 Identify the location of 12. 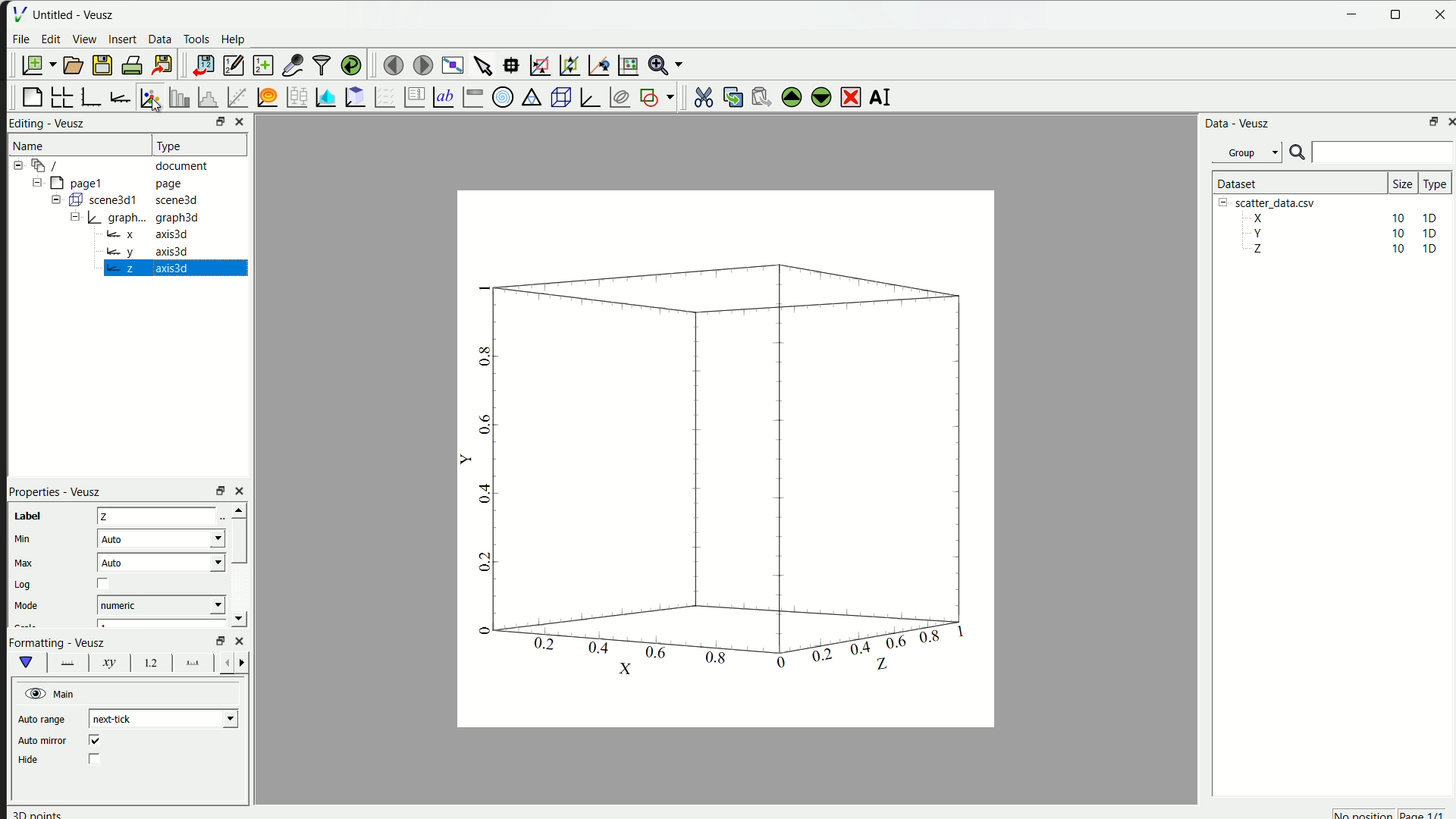
(146, 663).